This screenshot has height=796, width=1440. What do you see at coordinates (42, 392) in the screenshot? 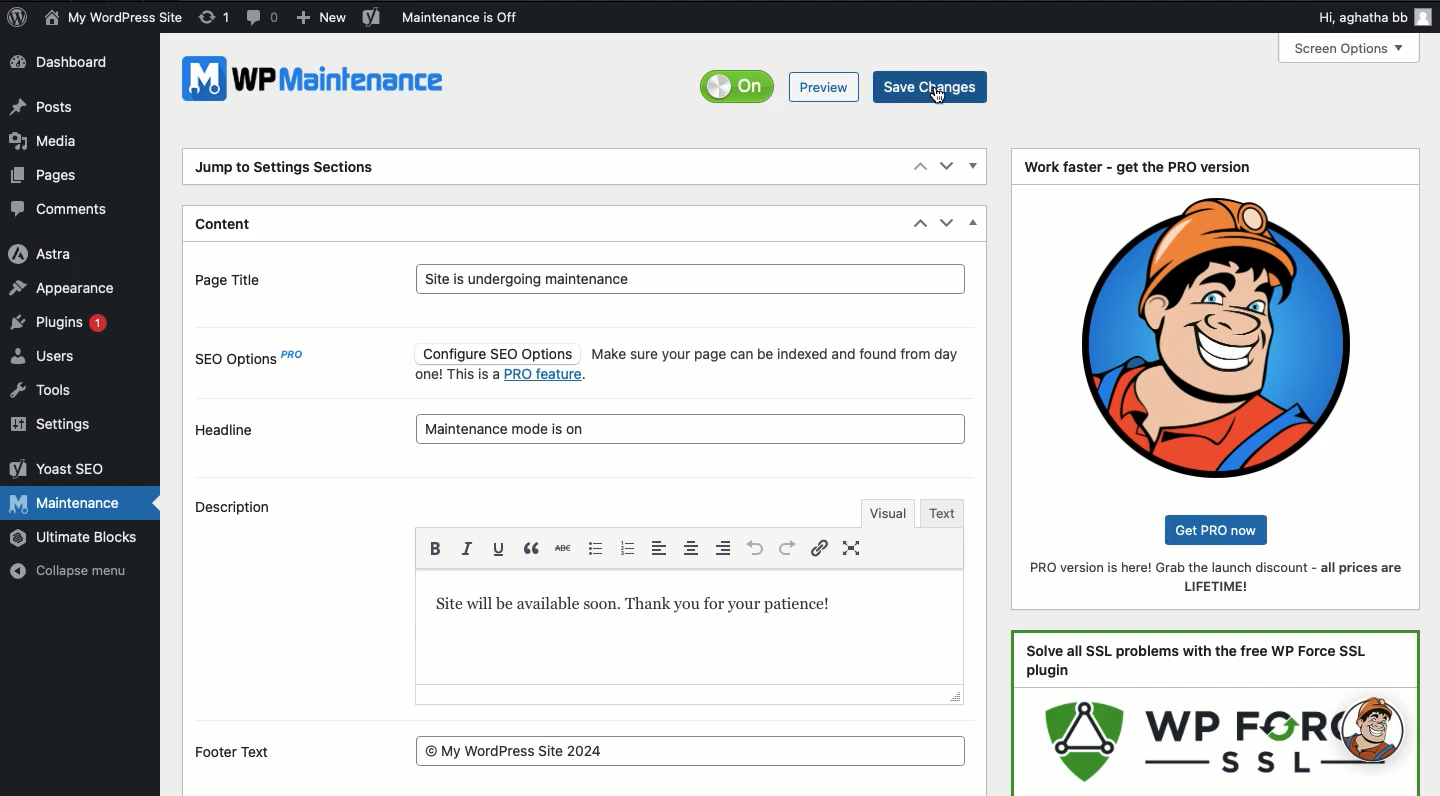
I see `Tools` at bounding box center [42, 392].